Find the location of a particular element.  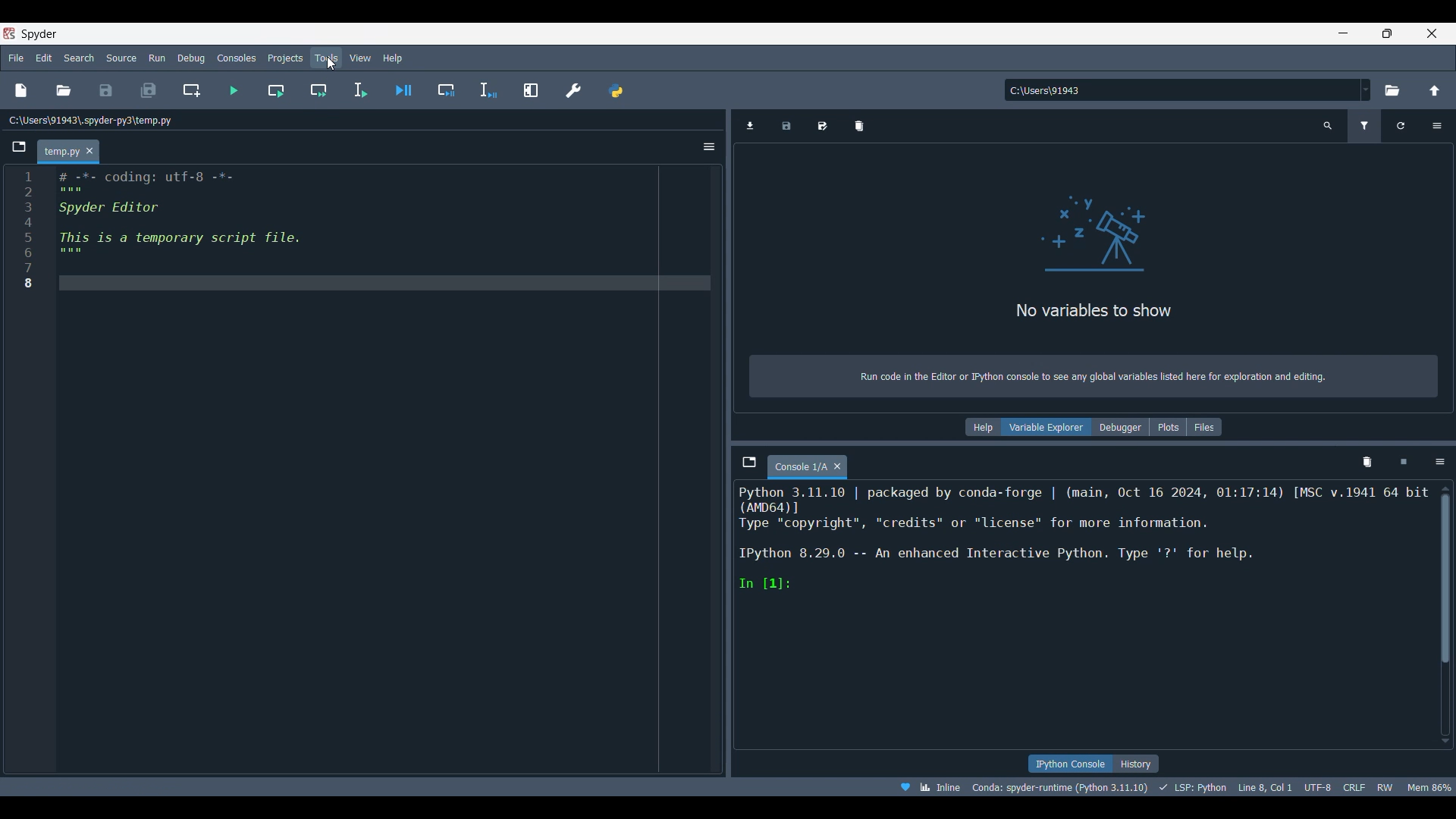

Save is located at coordinates (105, 90).